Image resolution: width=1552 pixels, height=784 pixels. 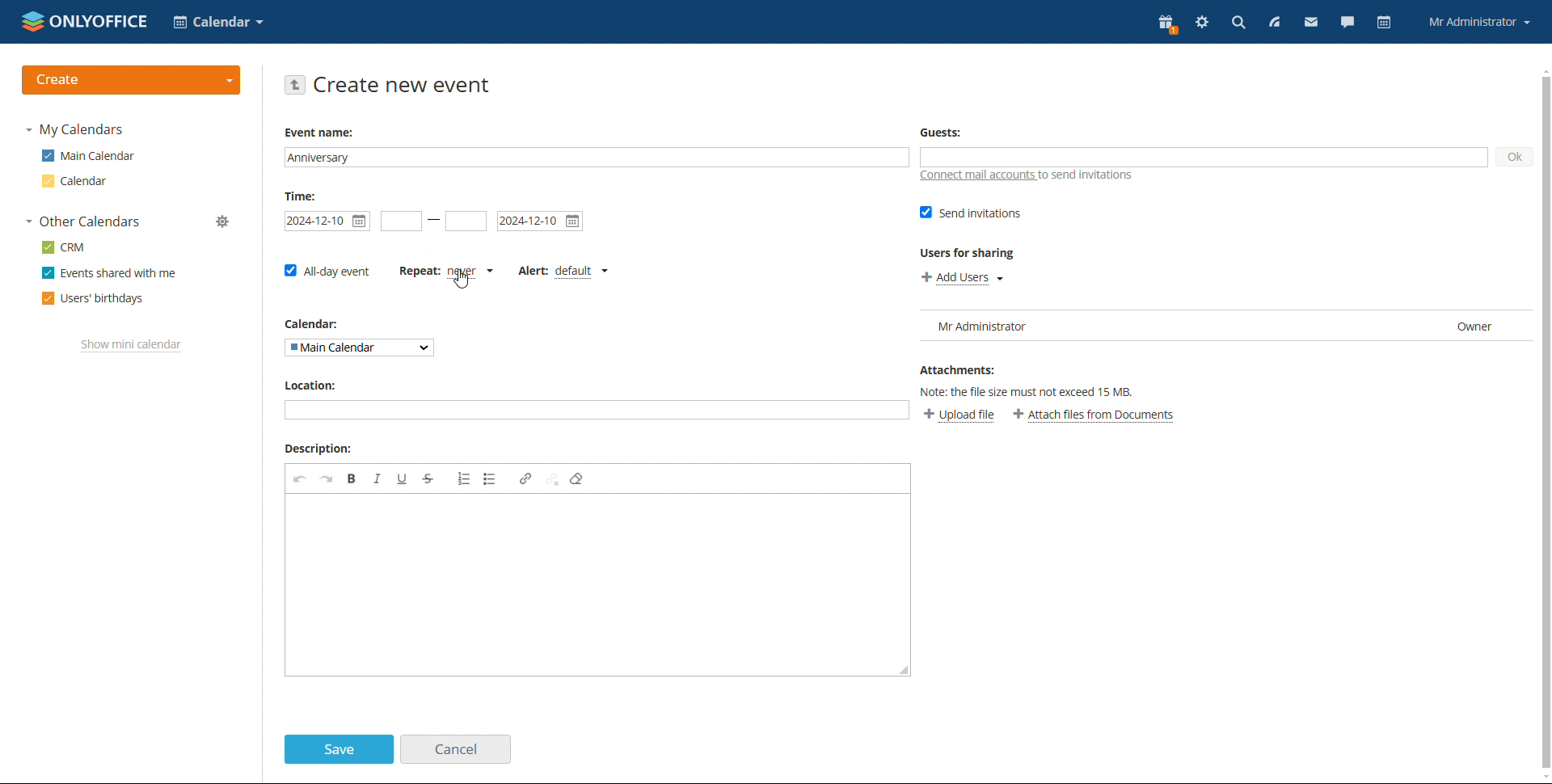 What do you see at coordinates (300, 478) in the screenshot?
I see `undo` at bounding box center [300, 478].